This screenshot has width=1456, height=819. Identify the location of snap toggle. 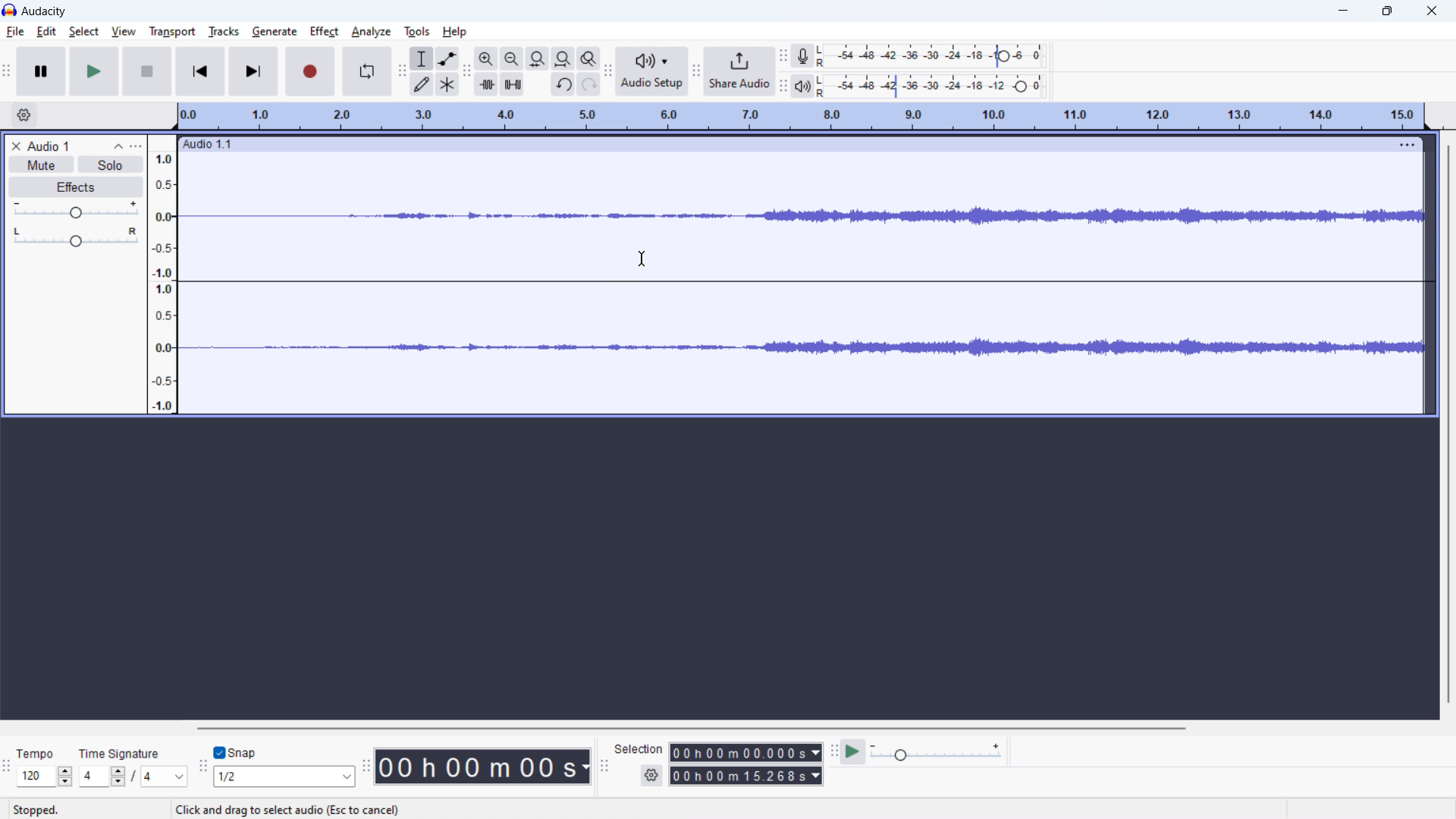
(236, 752).